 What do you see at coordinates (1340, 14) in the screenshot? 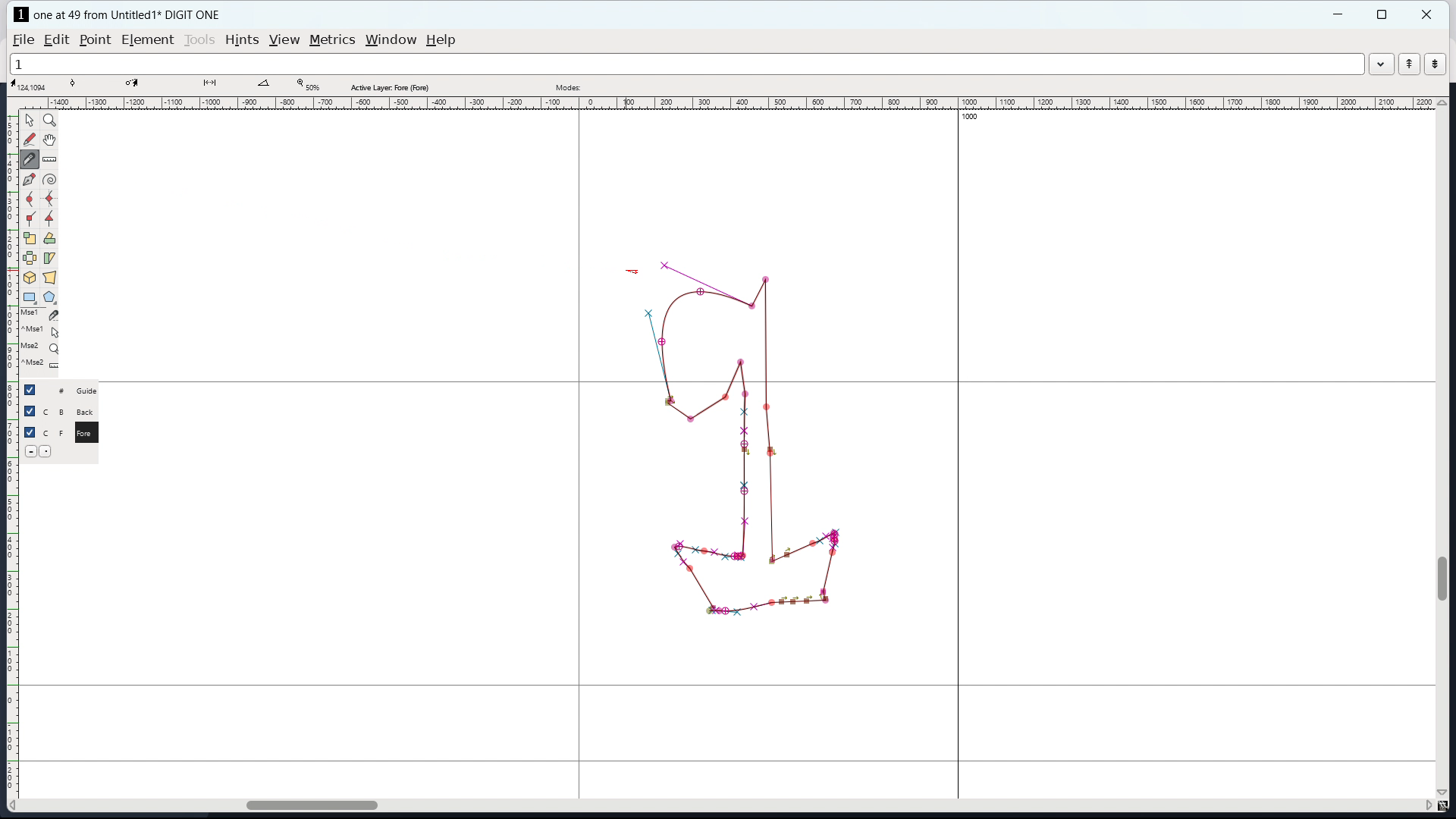
I see `minimize` at bounding box center [1340, 14].